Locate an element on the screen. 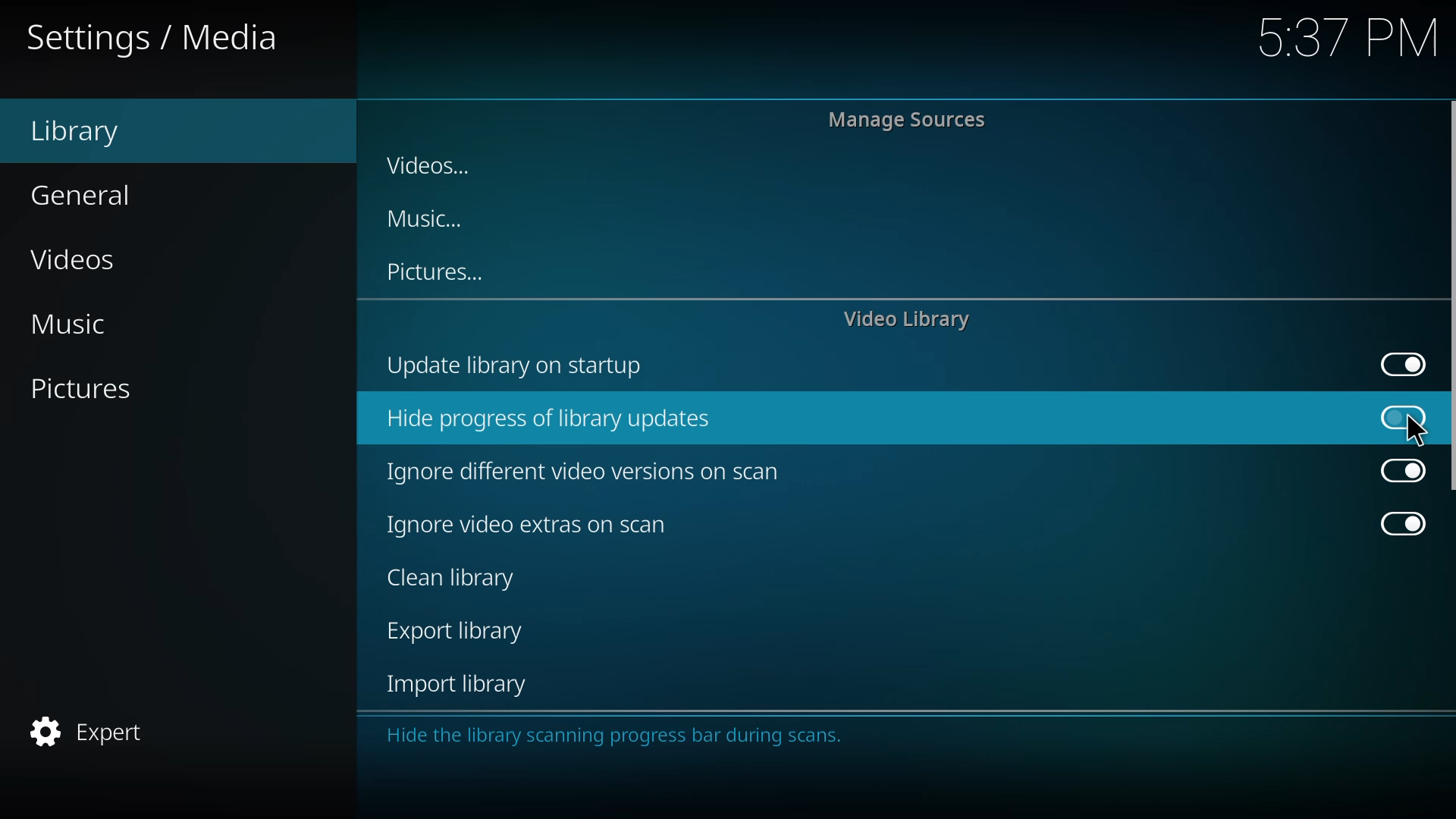 This screenshot has height=819, width=1456. 5:37 PM is located at coordinates (1338, 42).